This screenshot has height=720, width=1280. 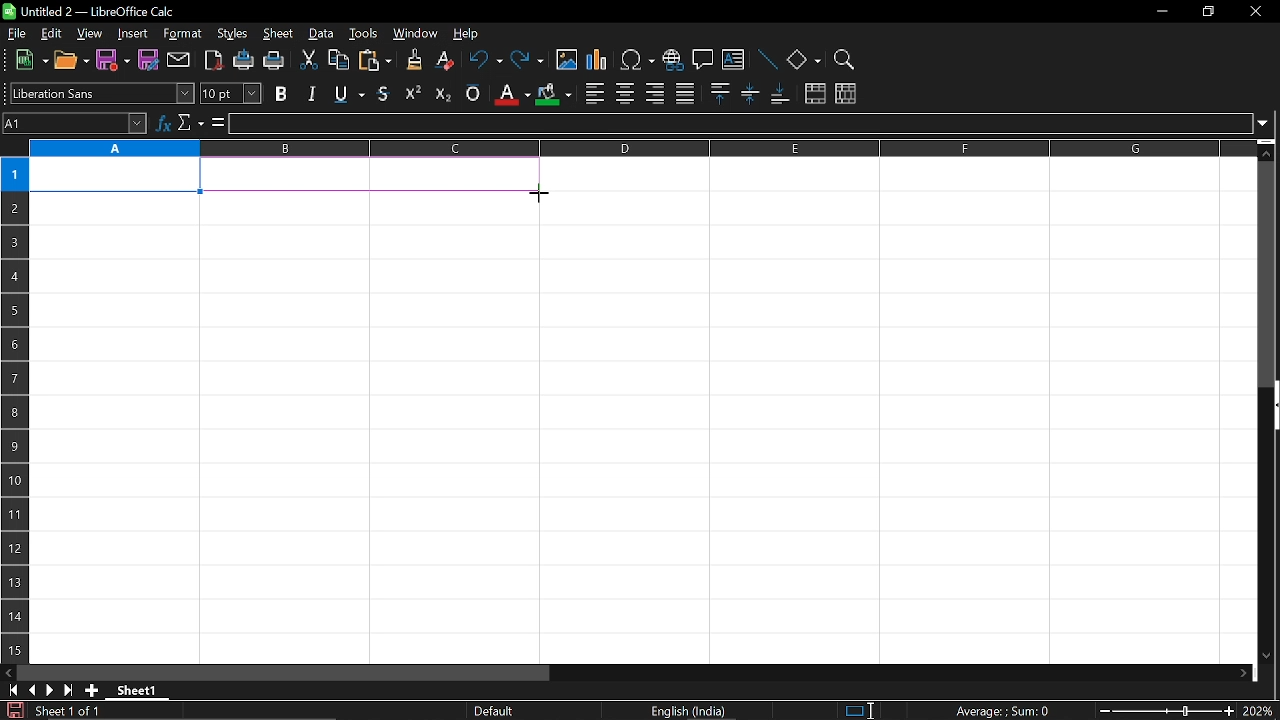 What do you see at coordinates (409, 60) in the screenshot?
I see `clone formatting` at bounding box center [409, 60].